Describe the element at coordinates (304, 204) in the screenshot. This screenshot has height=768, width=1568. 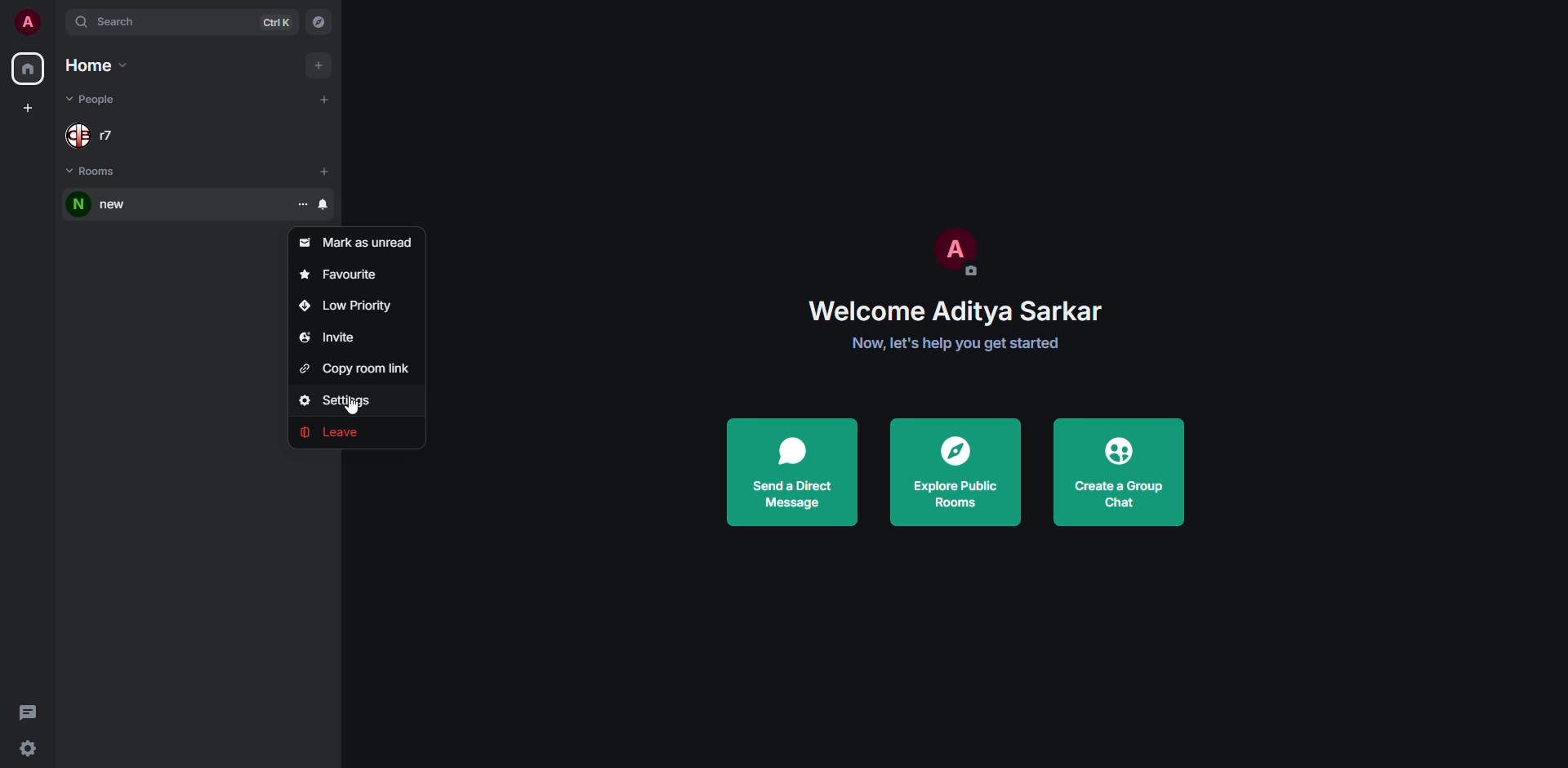
I see `room options` at that location.